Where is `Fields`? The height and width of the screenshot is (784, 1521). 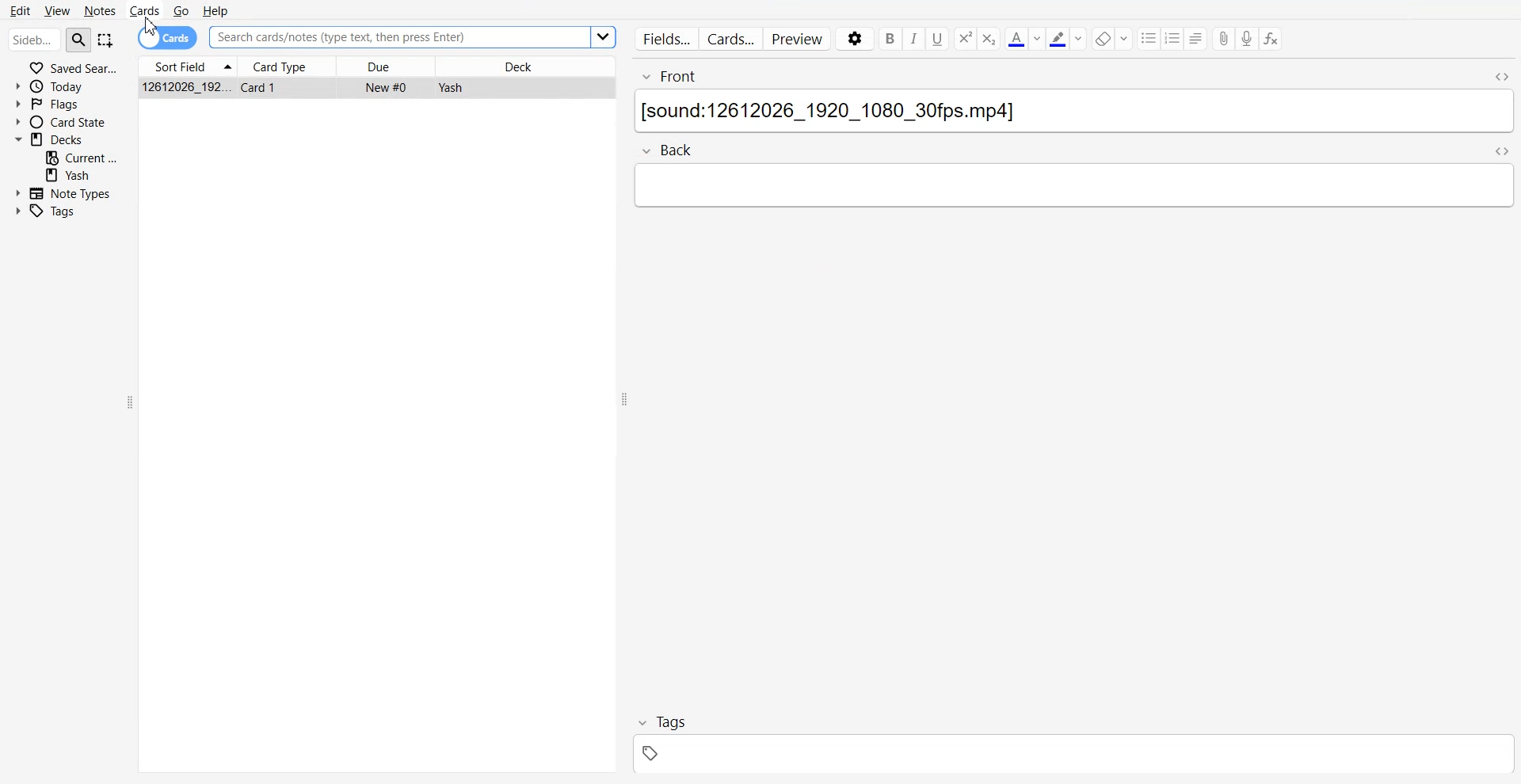 Fields is located at coordinates (663, 38).